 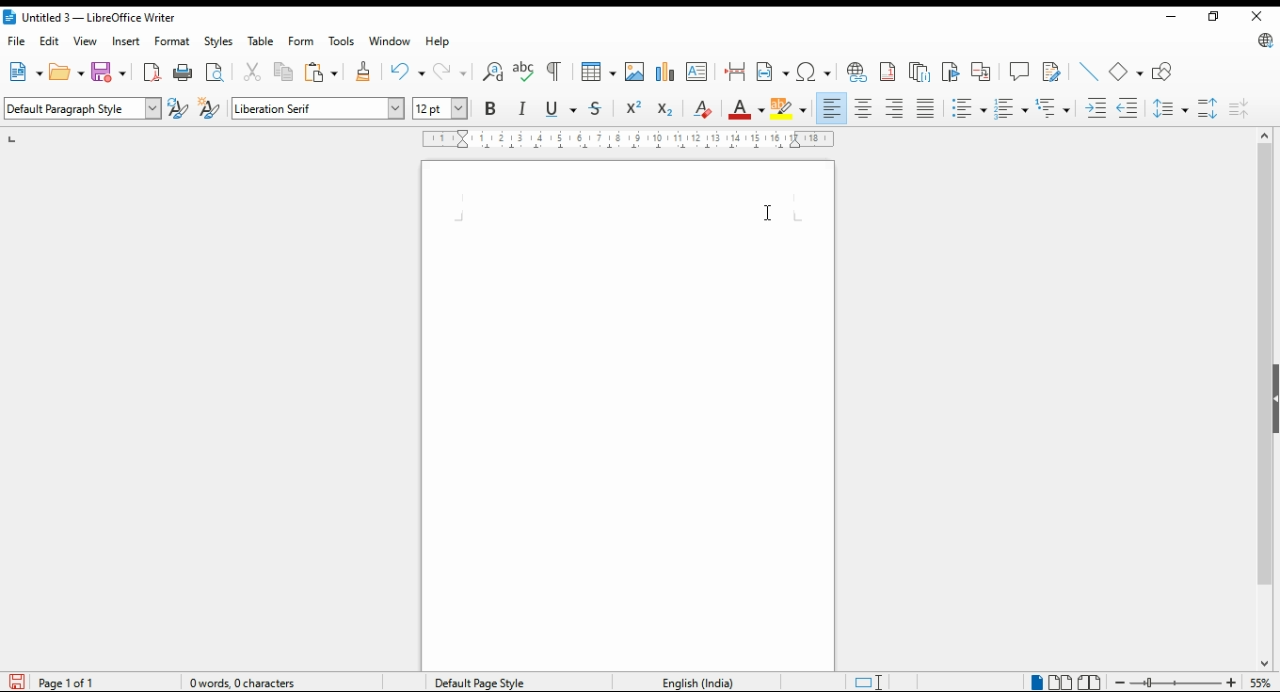 I want to click on decrease indent, so click(x=1129, y=107).